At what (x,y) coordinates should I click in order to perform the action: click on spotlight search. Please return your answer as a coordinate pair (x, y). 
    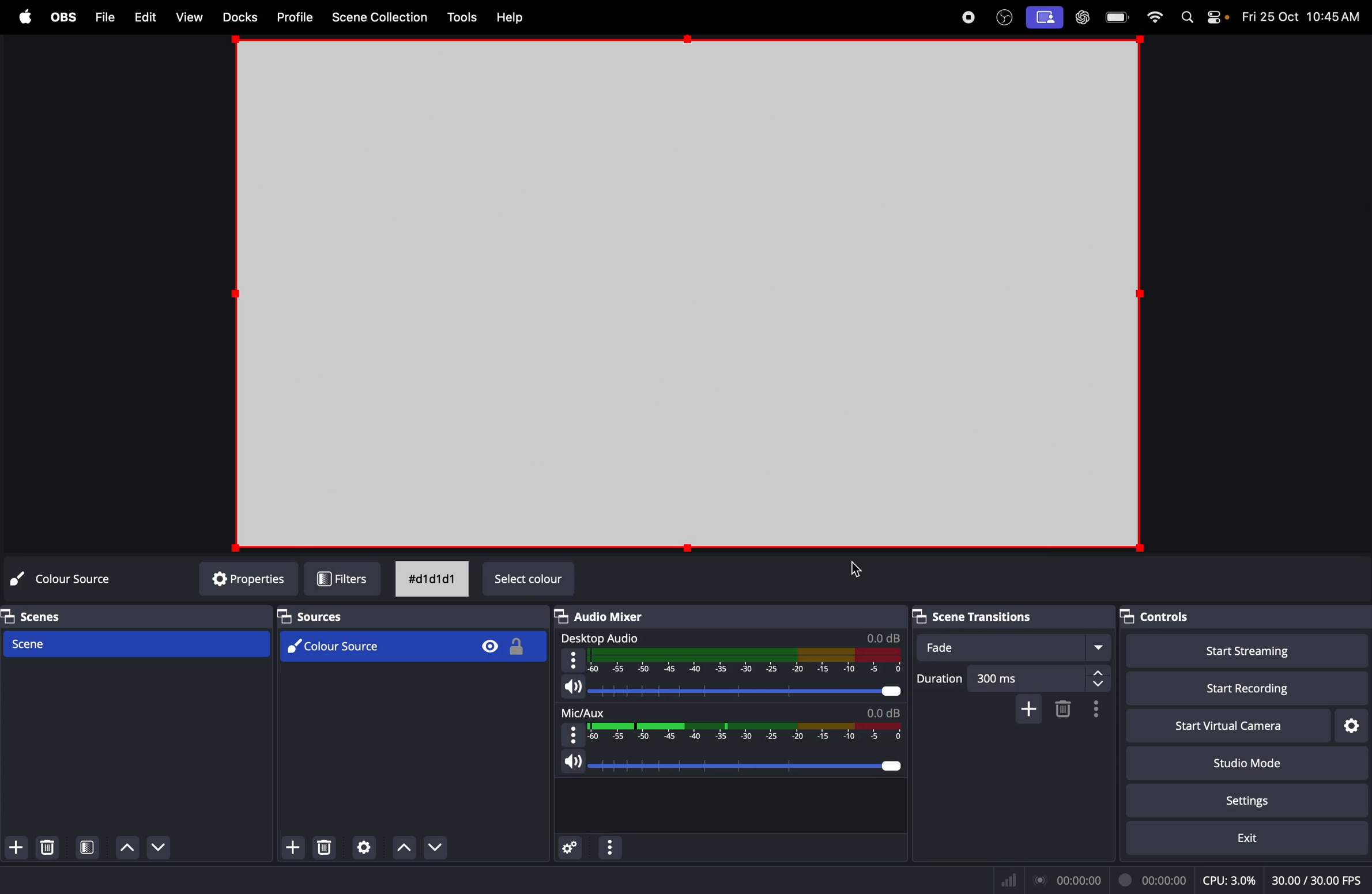
    Looking at the image, I should click on (1188, 19).